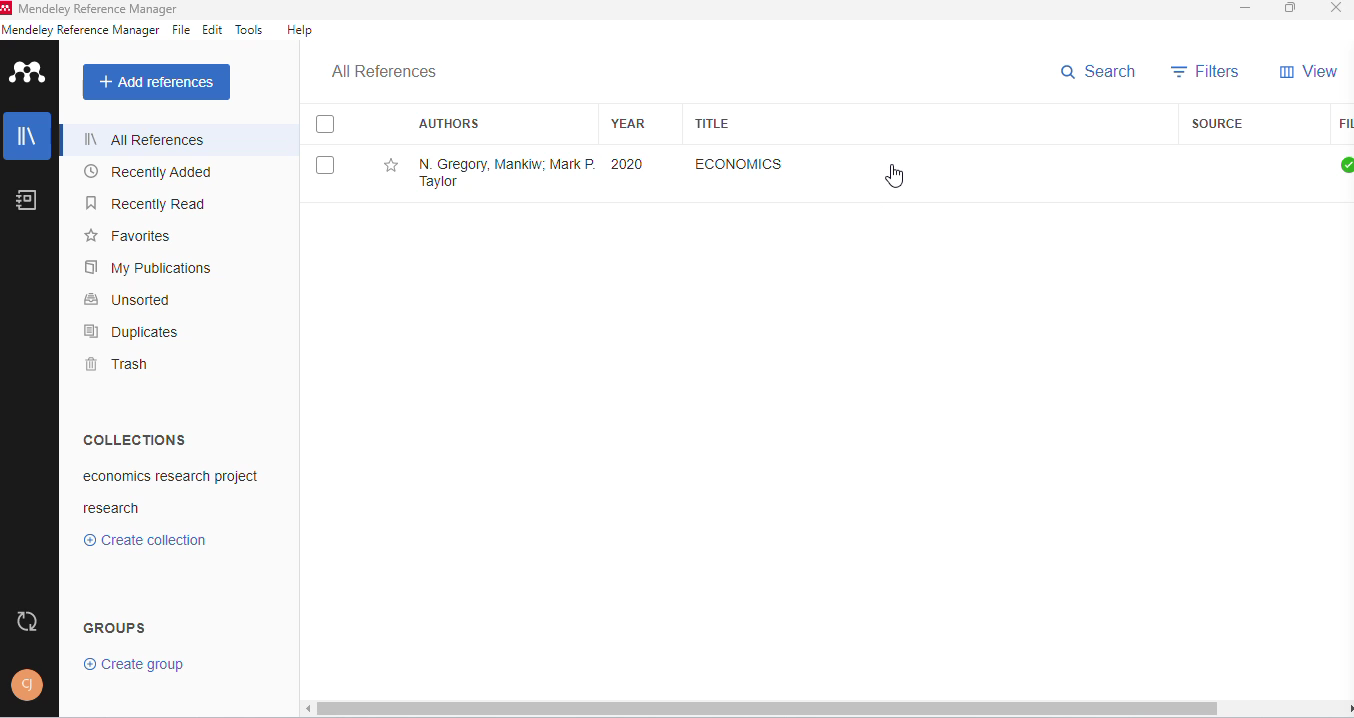 This screenshot has width=1354, height=718. Describe the element at coordinates (1343, 166) in the screenshot. I see `all files downloaded` at that location.